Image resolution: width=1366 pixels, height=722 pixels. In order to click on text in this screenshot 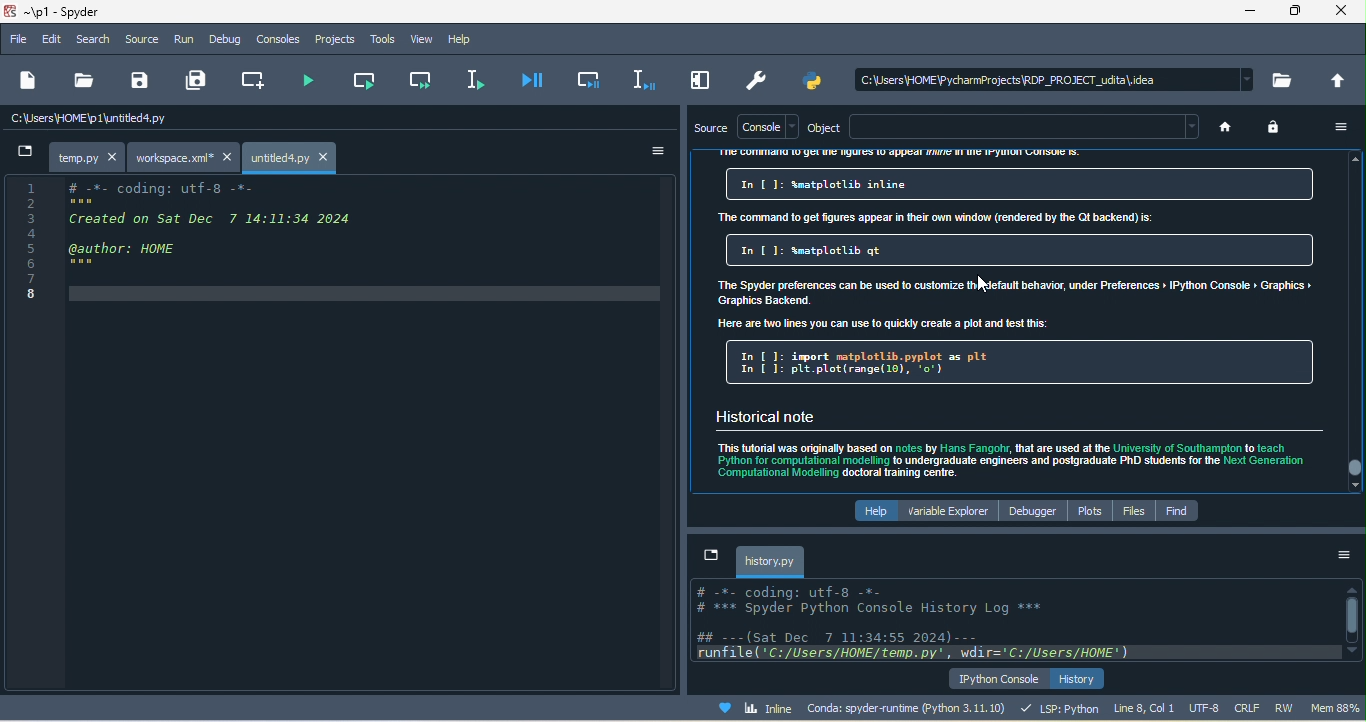, I will do `click(1004, 622)`.